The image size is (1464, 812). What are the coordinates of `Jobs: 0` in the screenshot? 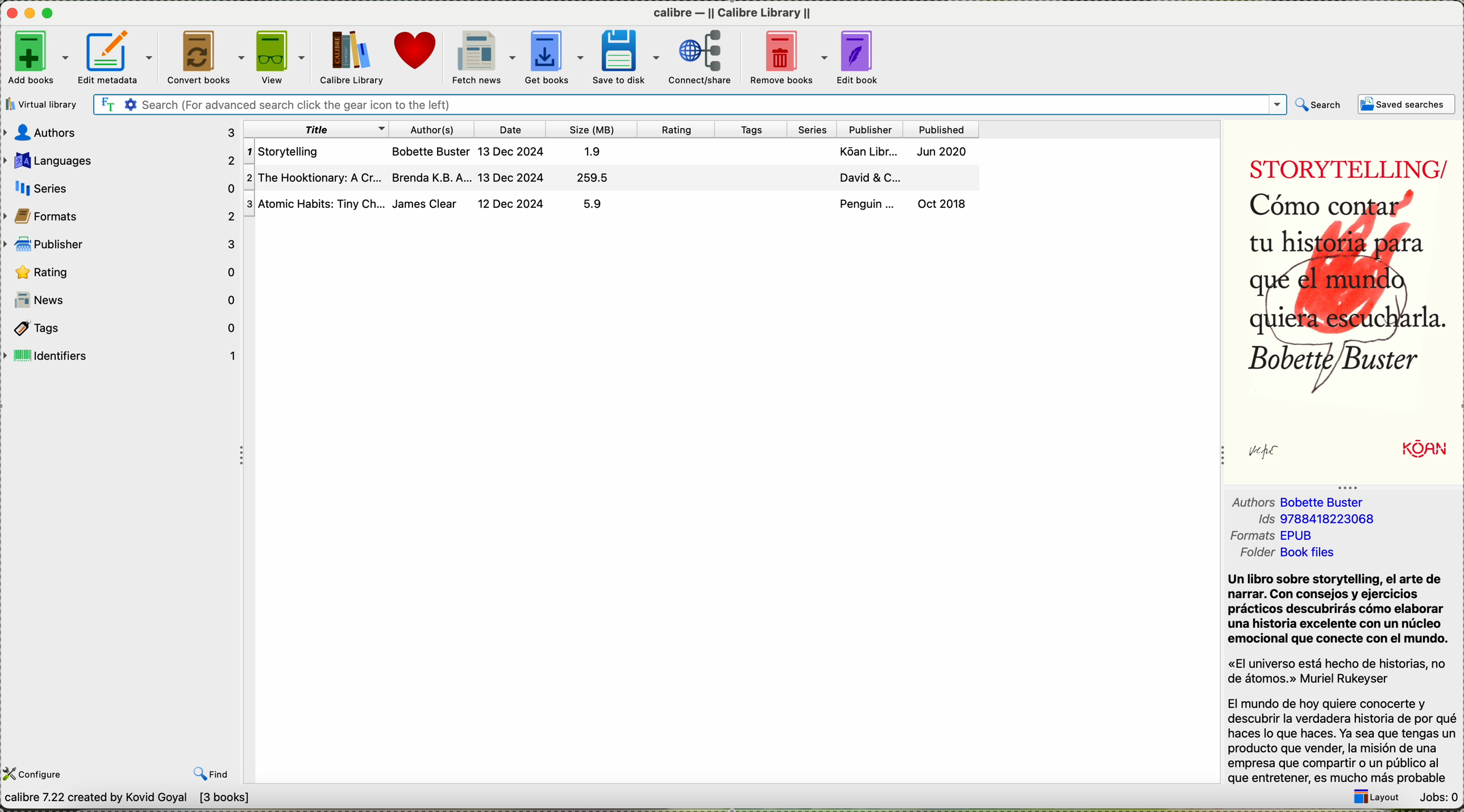 It's located at (1436, 797).